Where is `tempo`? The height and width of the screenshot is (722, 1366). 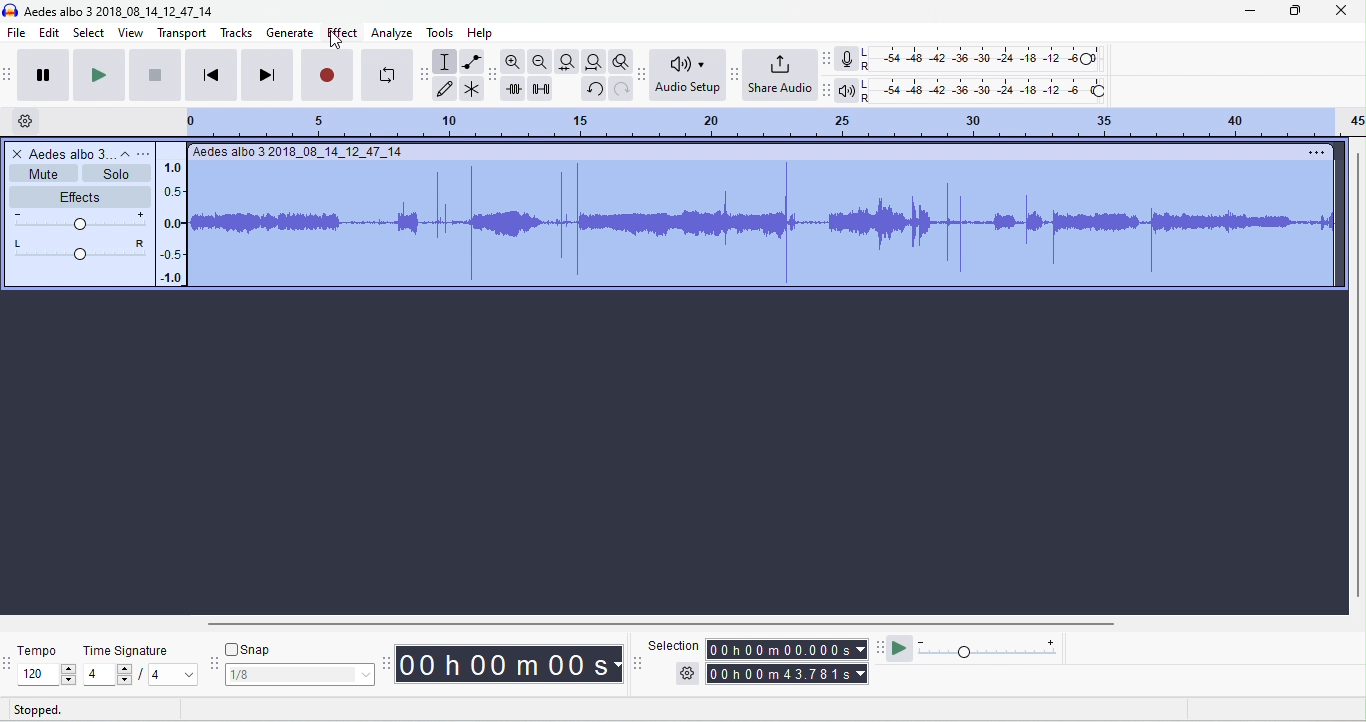 tempo is located at coordinates (38, 649).